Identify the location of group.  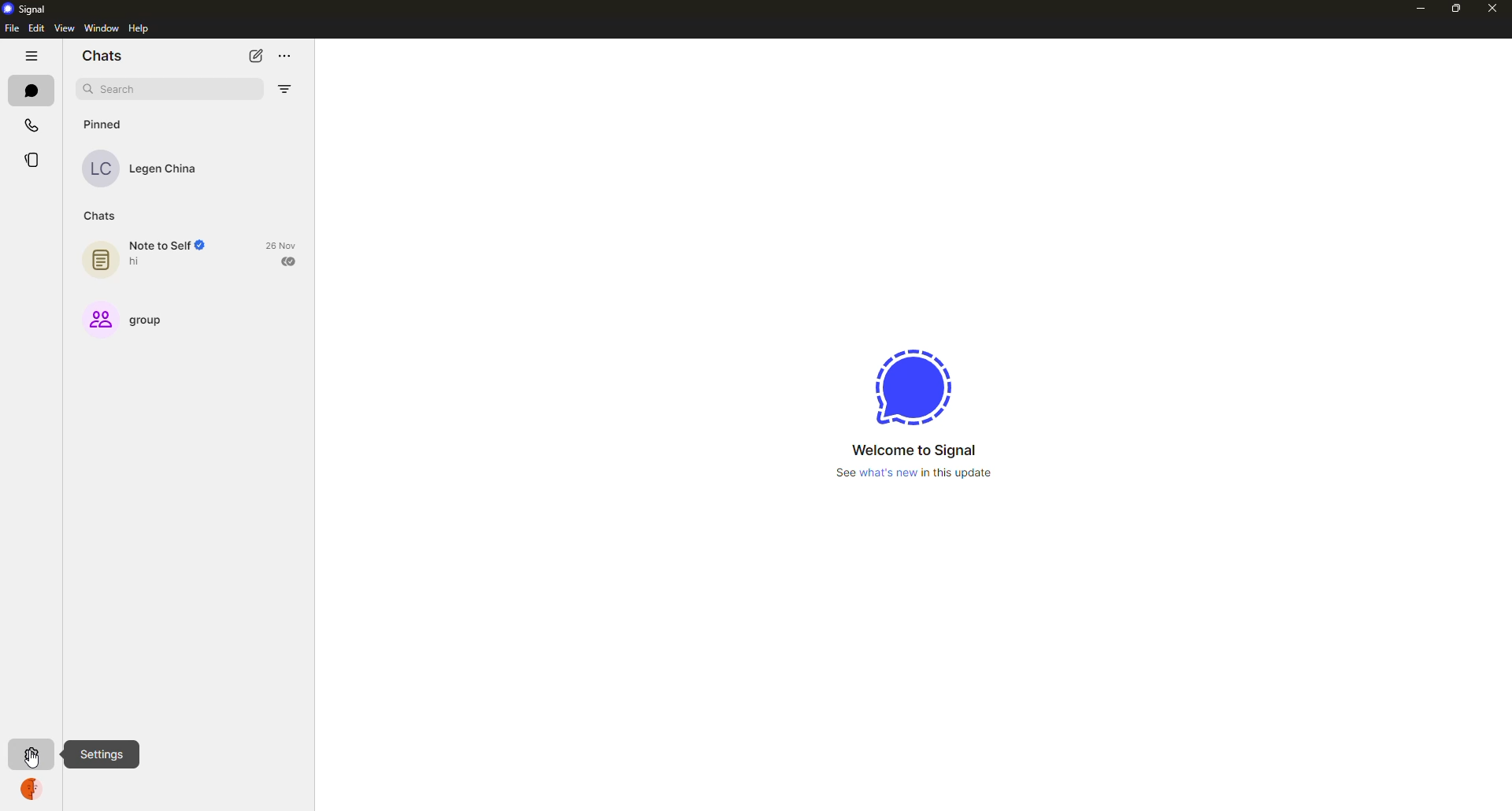
(154, 319).